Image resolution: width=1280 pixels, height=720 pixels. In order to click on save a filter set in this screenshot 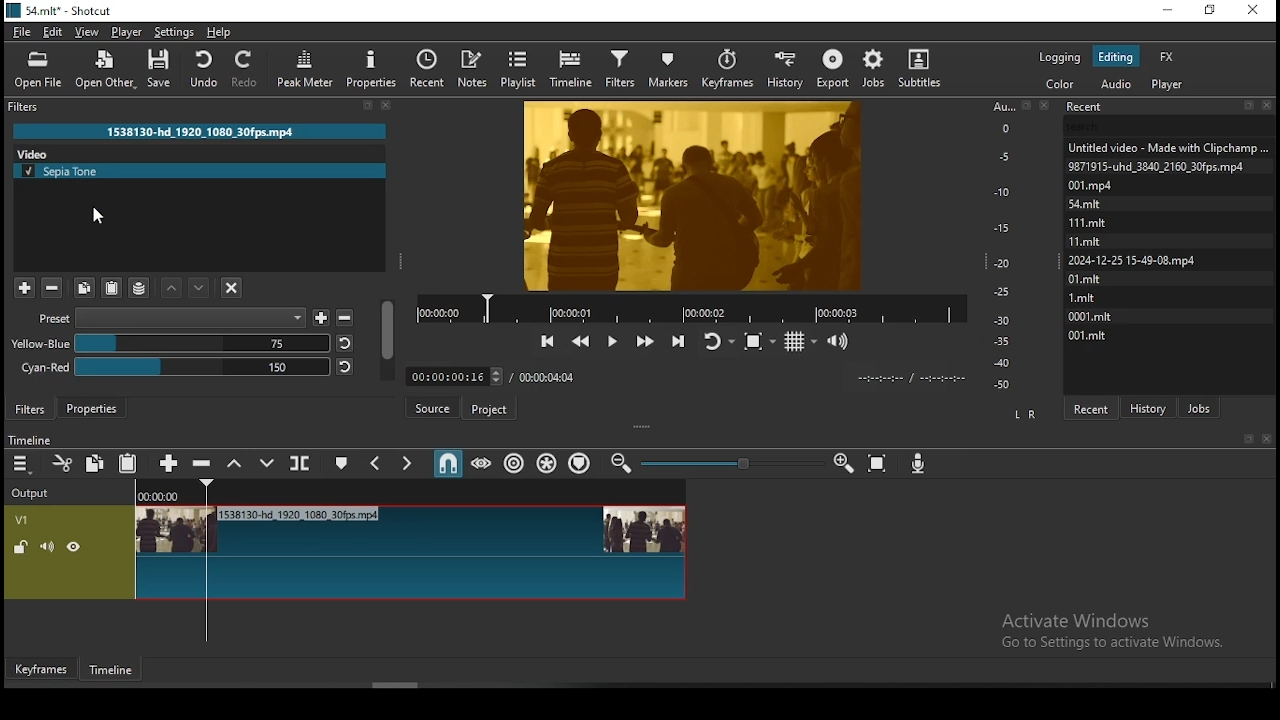, I will do `click(141, 288)`.